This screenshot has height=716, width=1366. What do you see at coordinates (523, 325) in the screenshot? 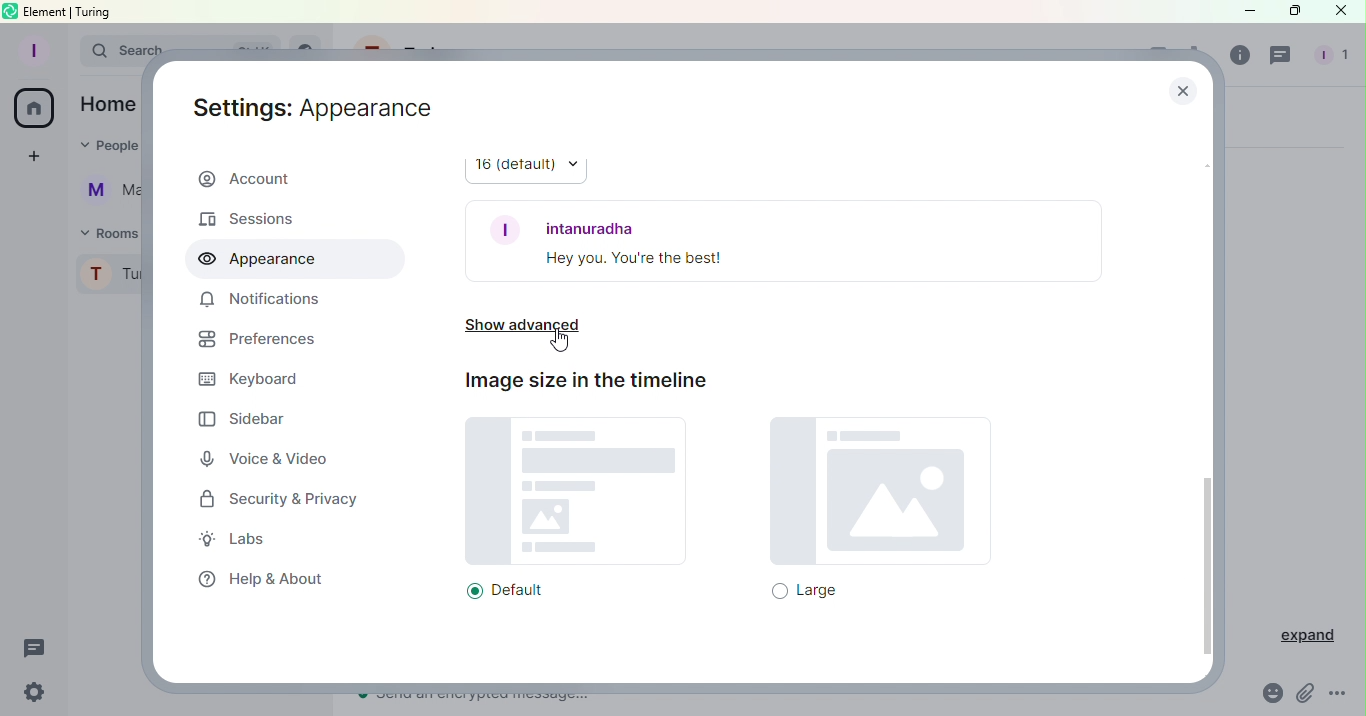
I see `Show advanced` at bounding box center [523, 325].